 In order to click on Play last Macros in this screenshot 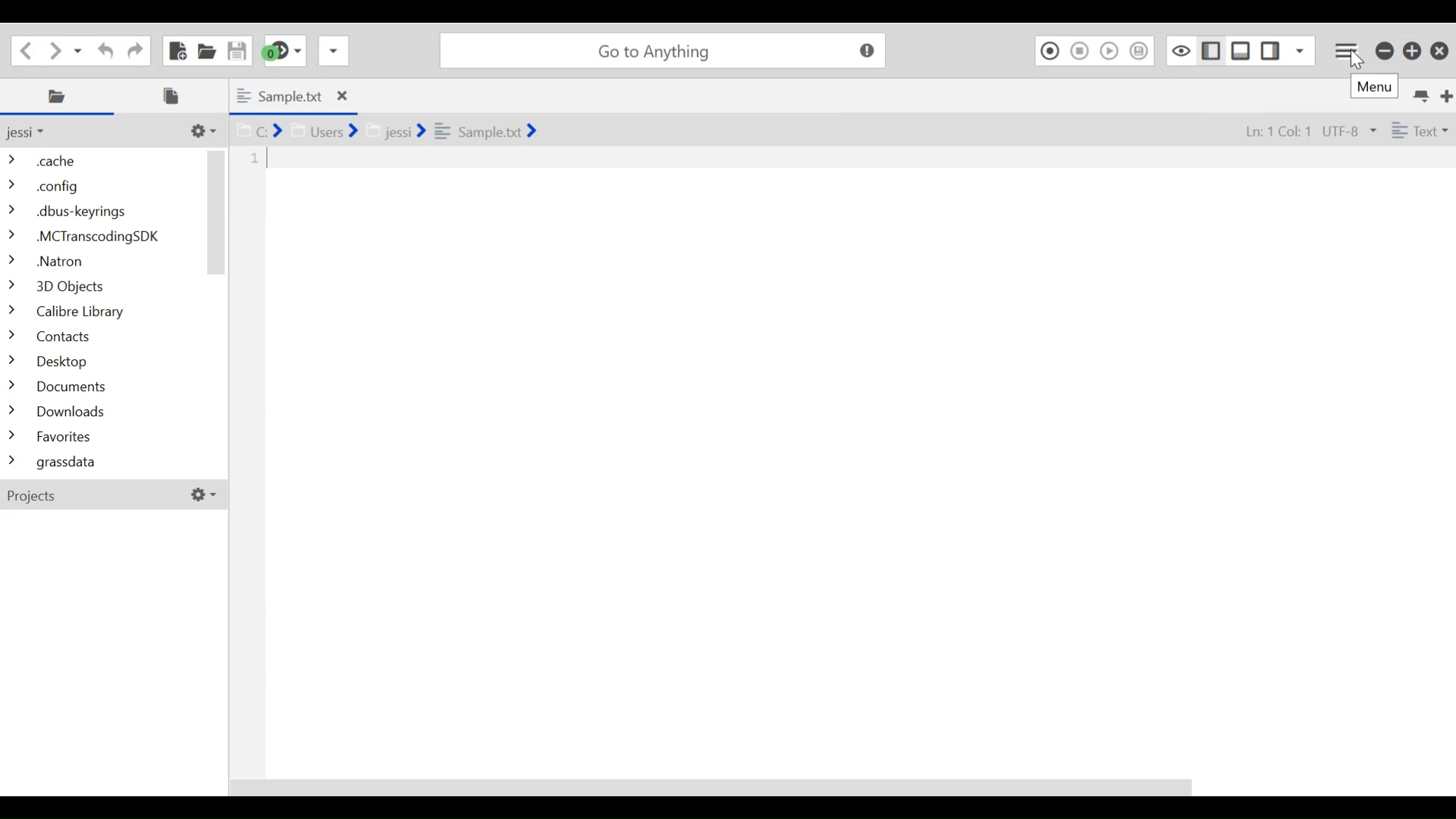, I will do `click(1111, 50)`.